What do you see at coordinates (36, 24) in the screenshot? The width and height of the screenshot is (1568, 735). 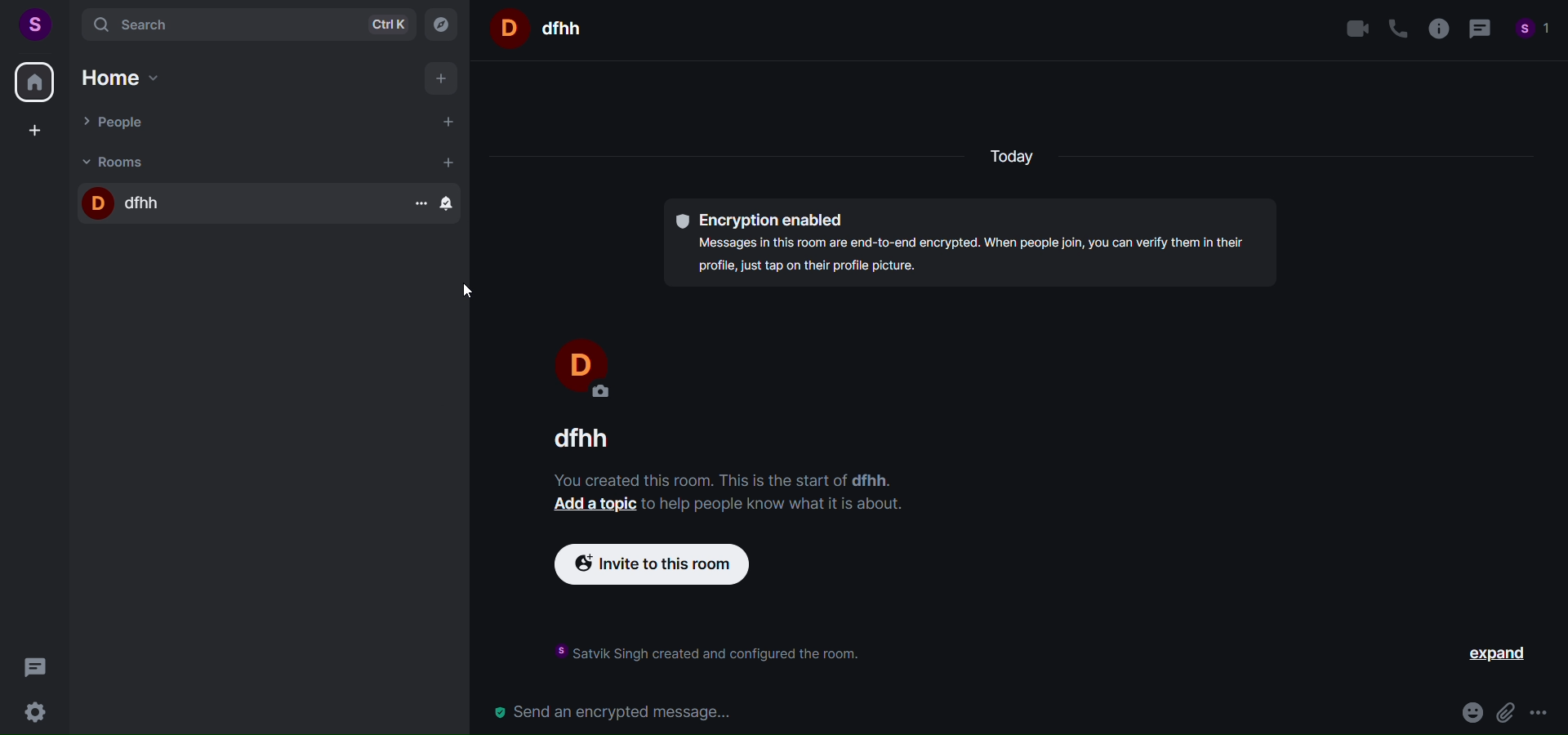 I see `user` at bounding box center [36, 24].